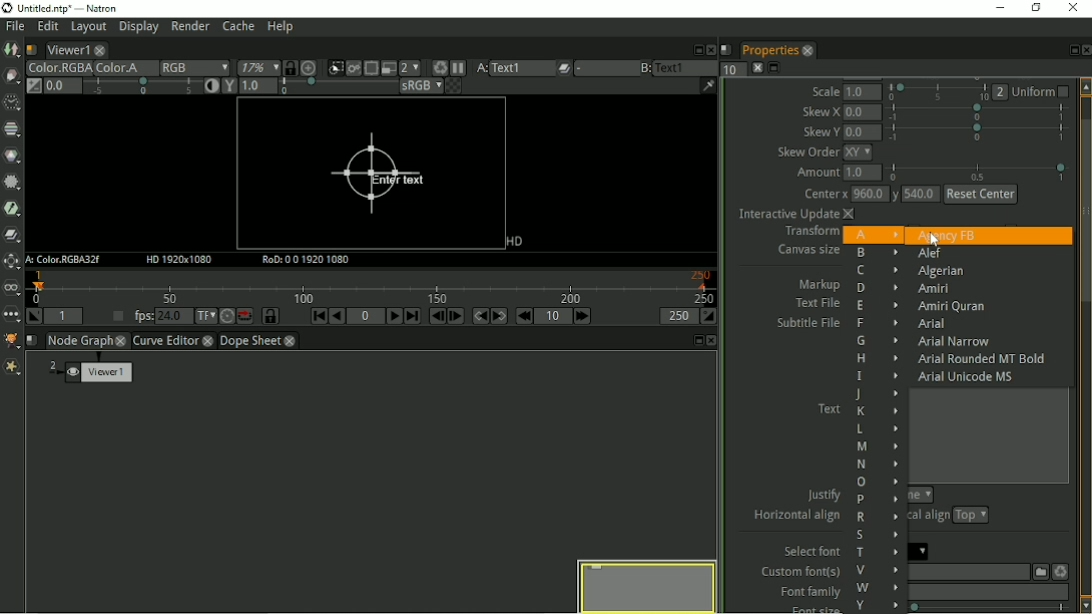 This screenshot has height=614, width=1092. What do you see at coordinates (479, 316) in the screenshot?
I see `Previous keyframe` at bounding box center [479, 316].